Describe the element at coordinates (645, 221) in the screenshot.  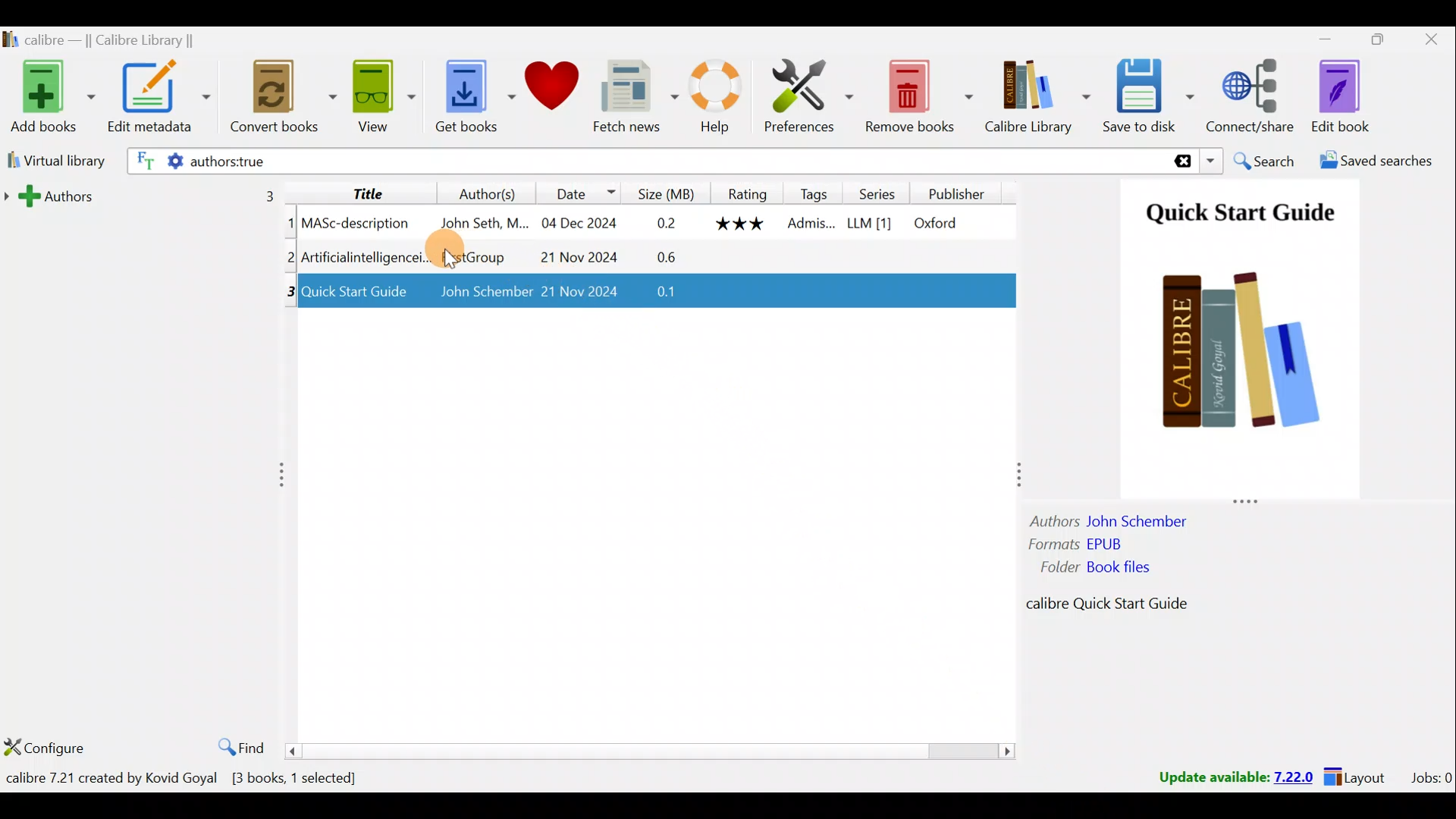
I see `Book 1` at that location.